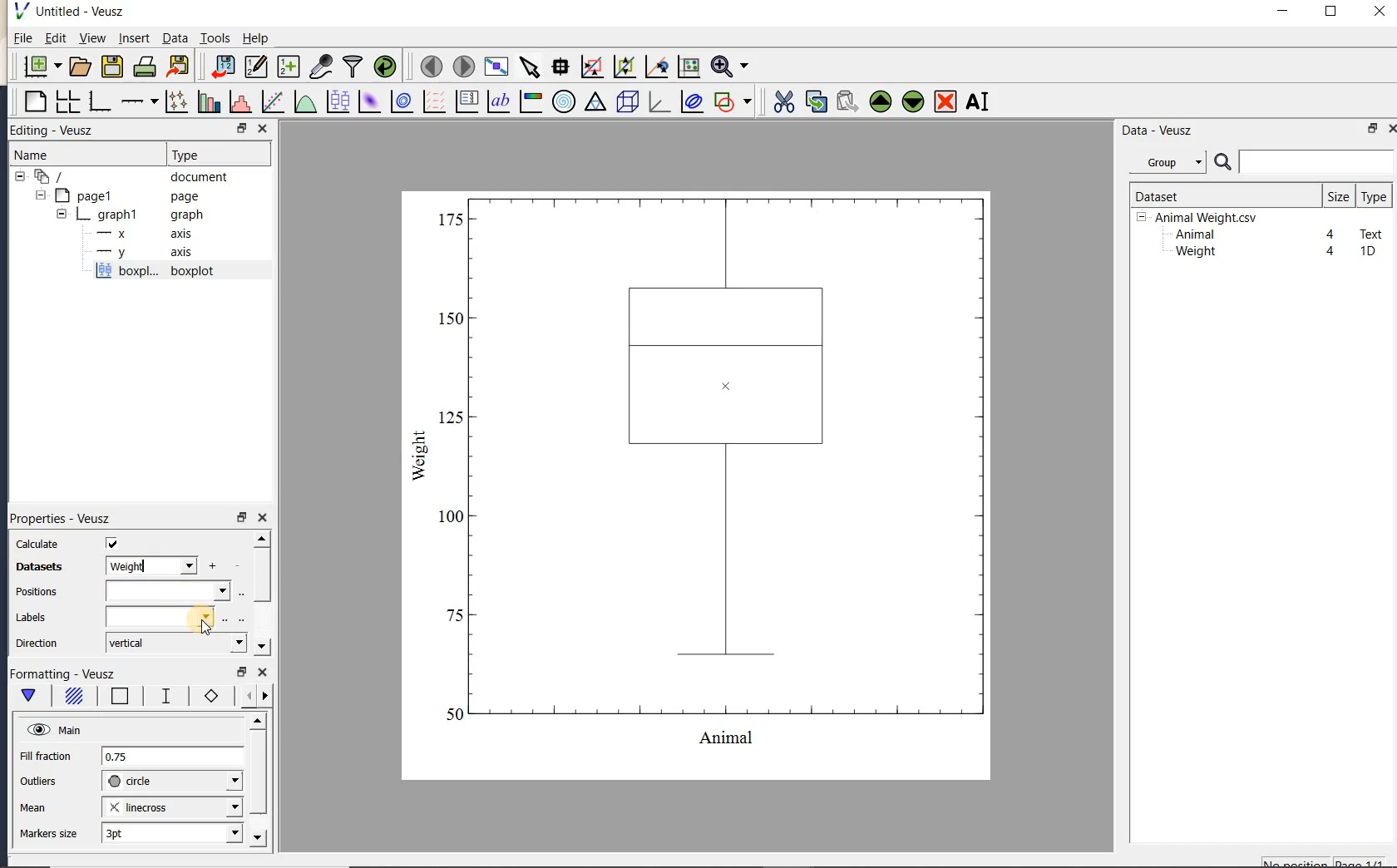 This screenshot has height=868, width=1397. What do you see at coordinates (208, 630) in the screenshot?
I see `cursor` at bounding box center [208, 630].